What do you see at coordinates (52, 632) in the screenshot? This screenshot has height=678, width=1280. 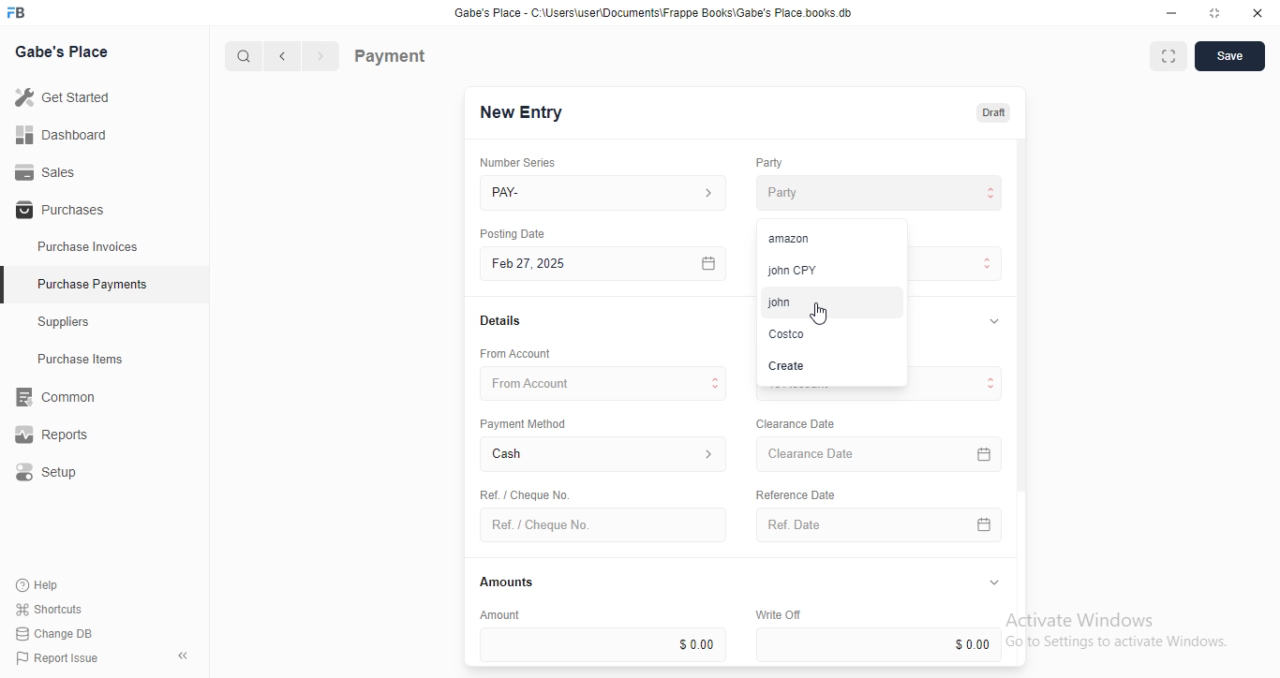 I see `Change DB` at bounding box center [52, 632].